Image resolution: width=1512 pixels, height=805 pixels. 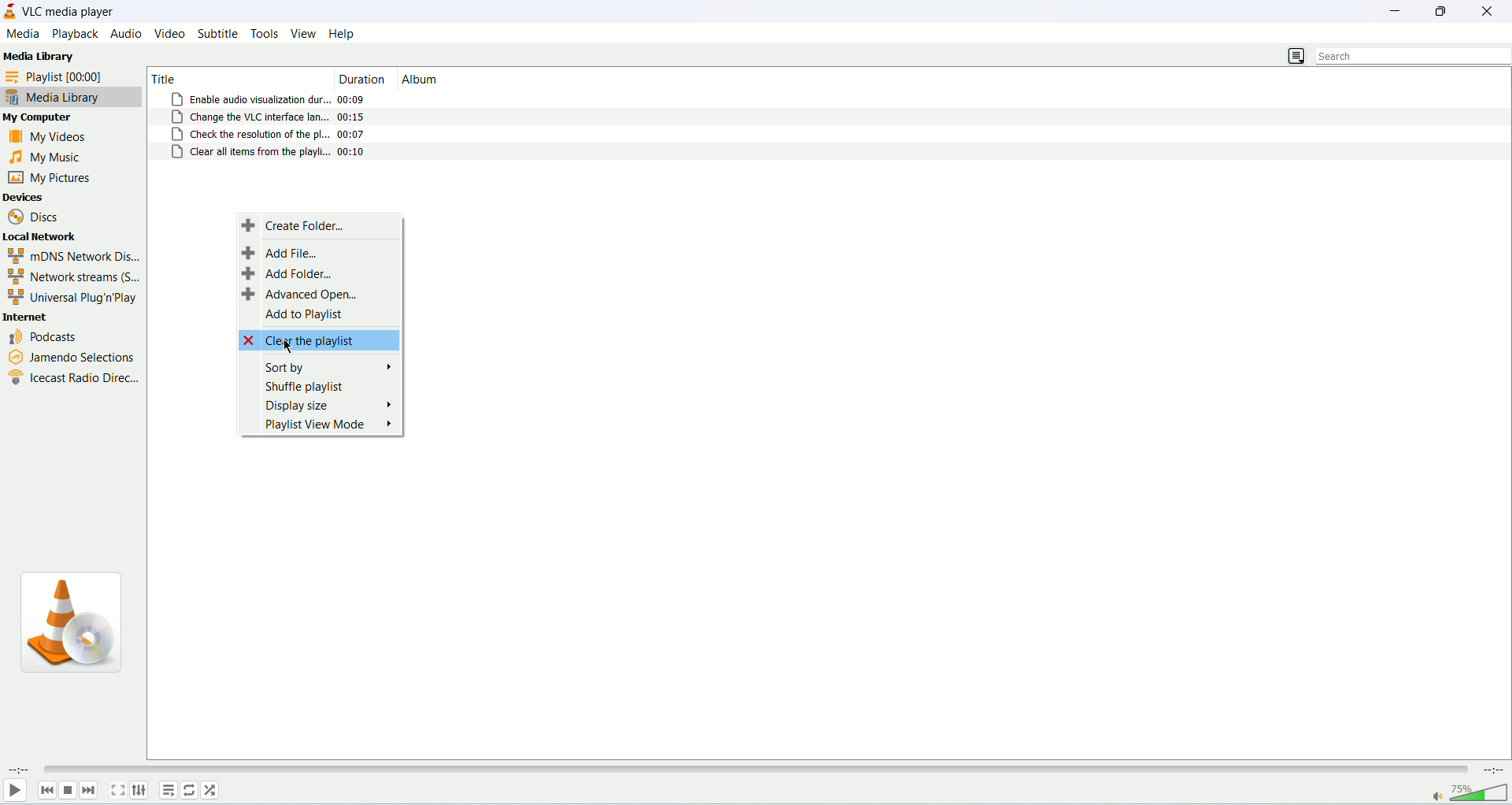 What do you see at coordinates (128, 32) in the screenshot?
I see `audio` at bounding box center [128, 32].